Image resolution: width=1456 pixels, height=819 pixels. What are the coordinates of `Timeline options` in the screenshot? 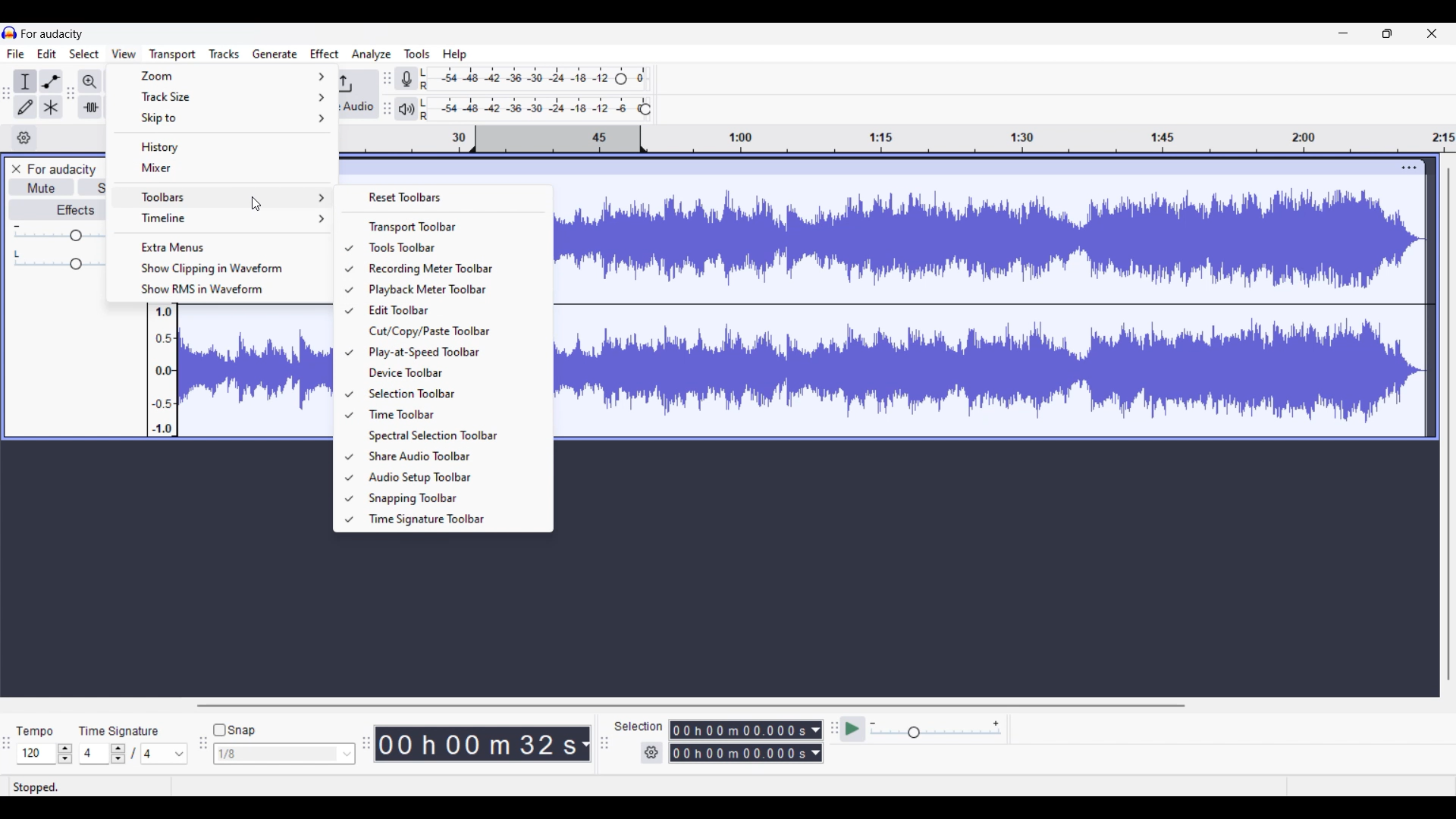 It's located at (223, 218).